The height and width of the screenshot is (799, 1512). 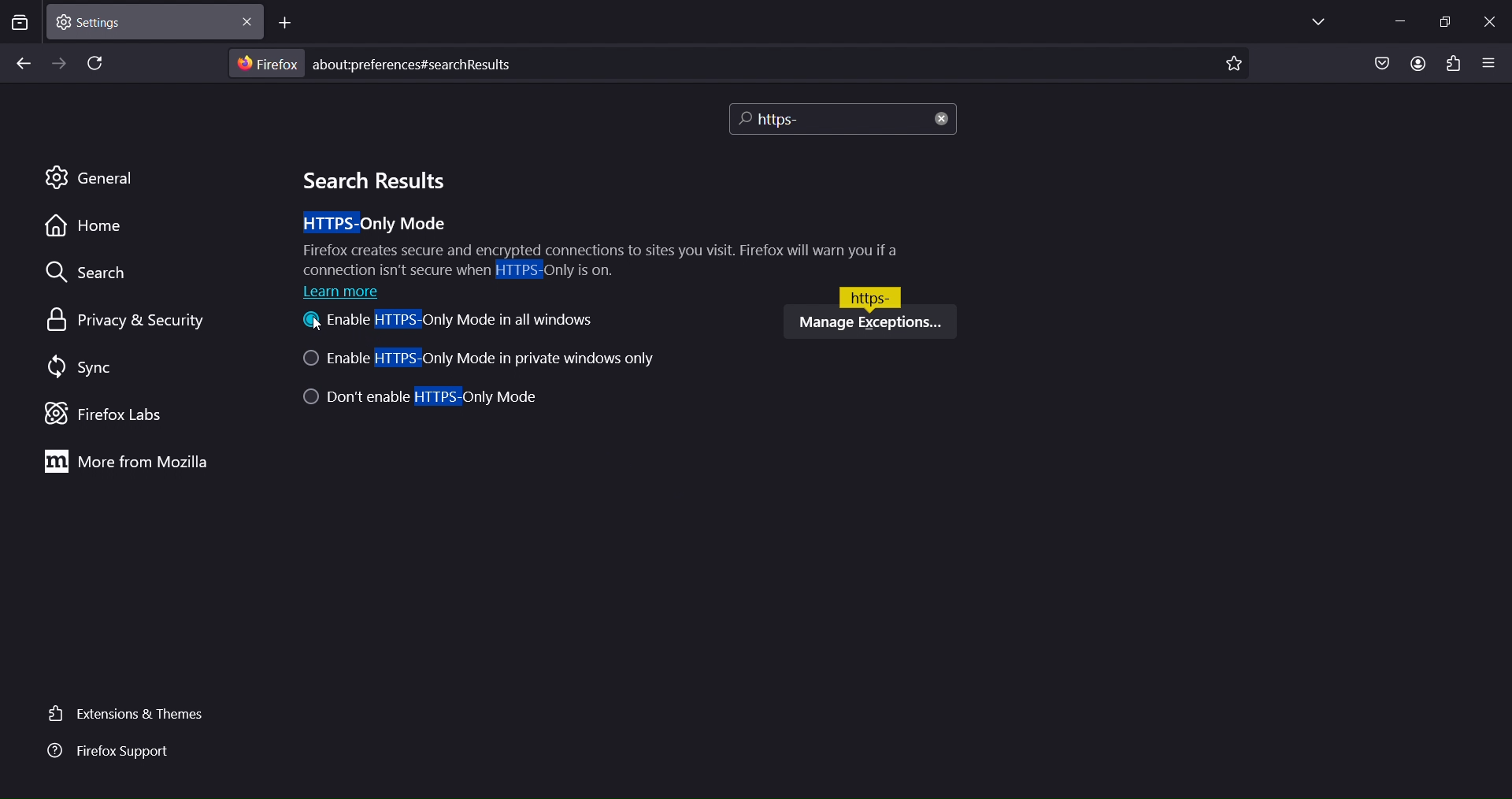 I want to click on go back one page, so click(x=21, y=65).